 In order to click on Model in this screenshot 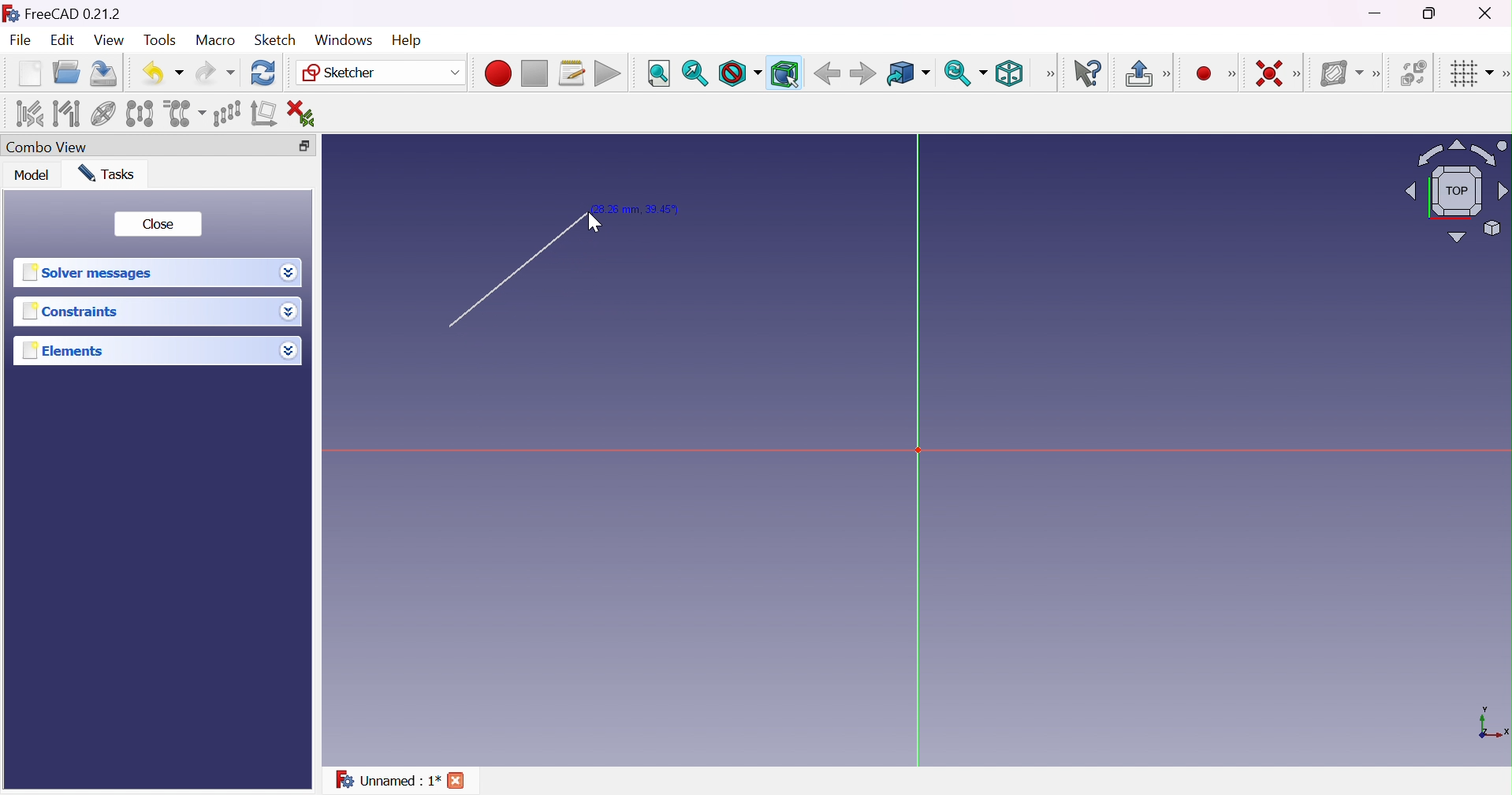, I will do `click(32, 176)`.